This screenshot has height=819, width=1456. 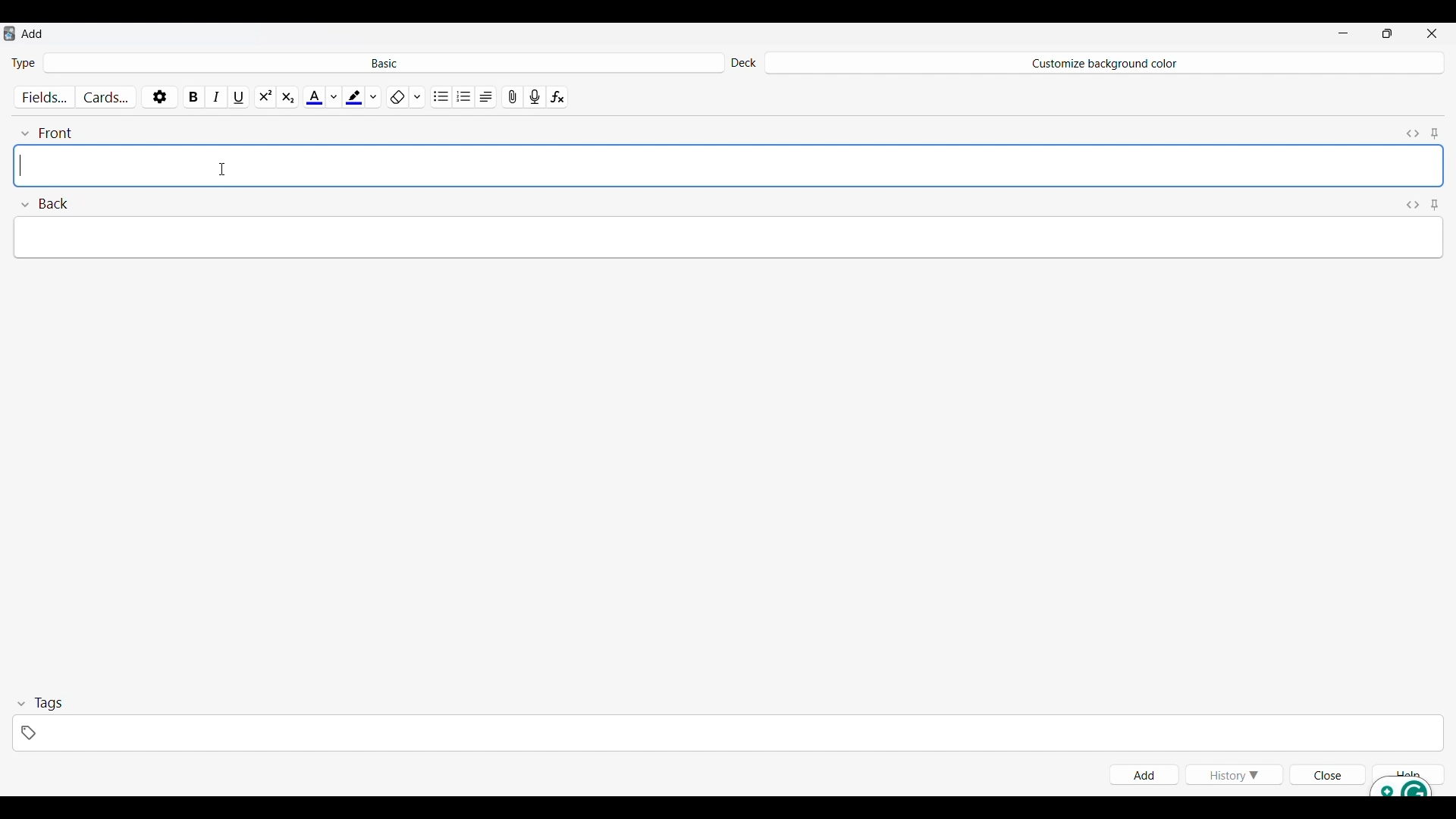 What do you see at coordinates (728, 164) in the screenshot?
I see `Type in text` at bounding box center [728, 164].